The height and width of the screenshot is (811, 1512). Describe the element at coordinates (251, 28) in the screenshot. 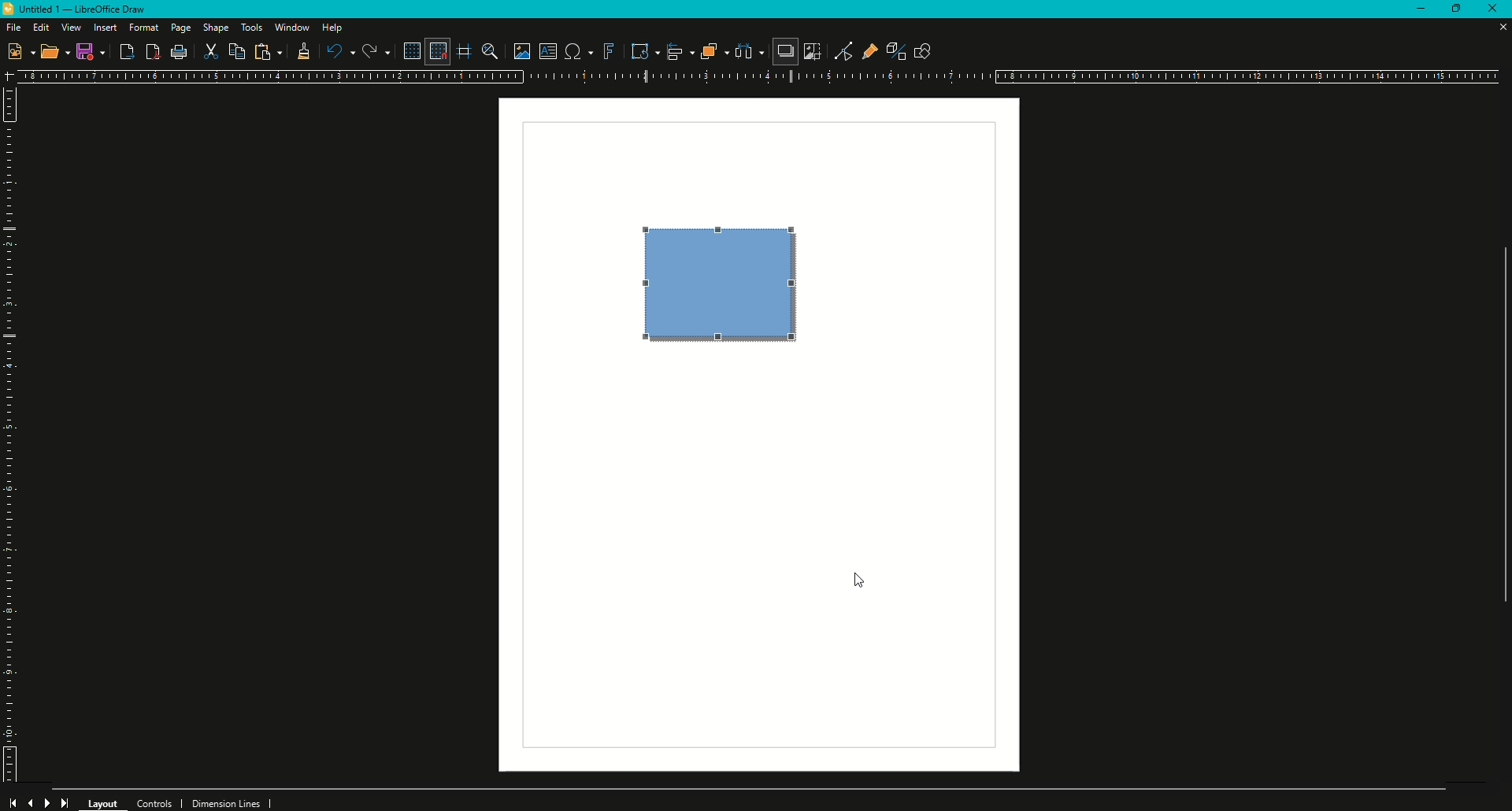

I see `Tools` at that location.